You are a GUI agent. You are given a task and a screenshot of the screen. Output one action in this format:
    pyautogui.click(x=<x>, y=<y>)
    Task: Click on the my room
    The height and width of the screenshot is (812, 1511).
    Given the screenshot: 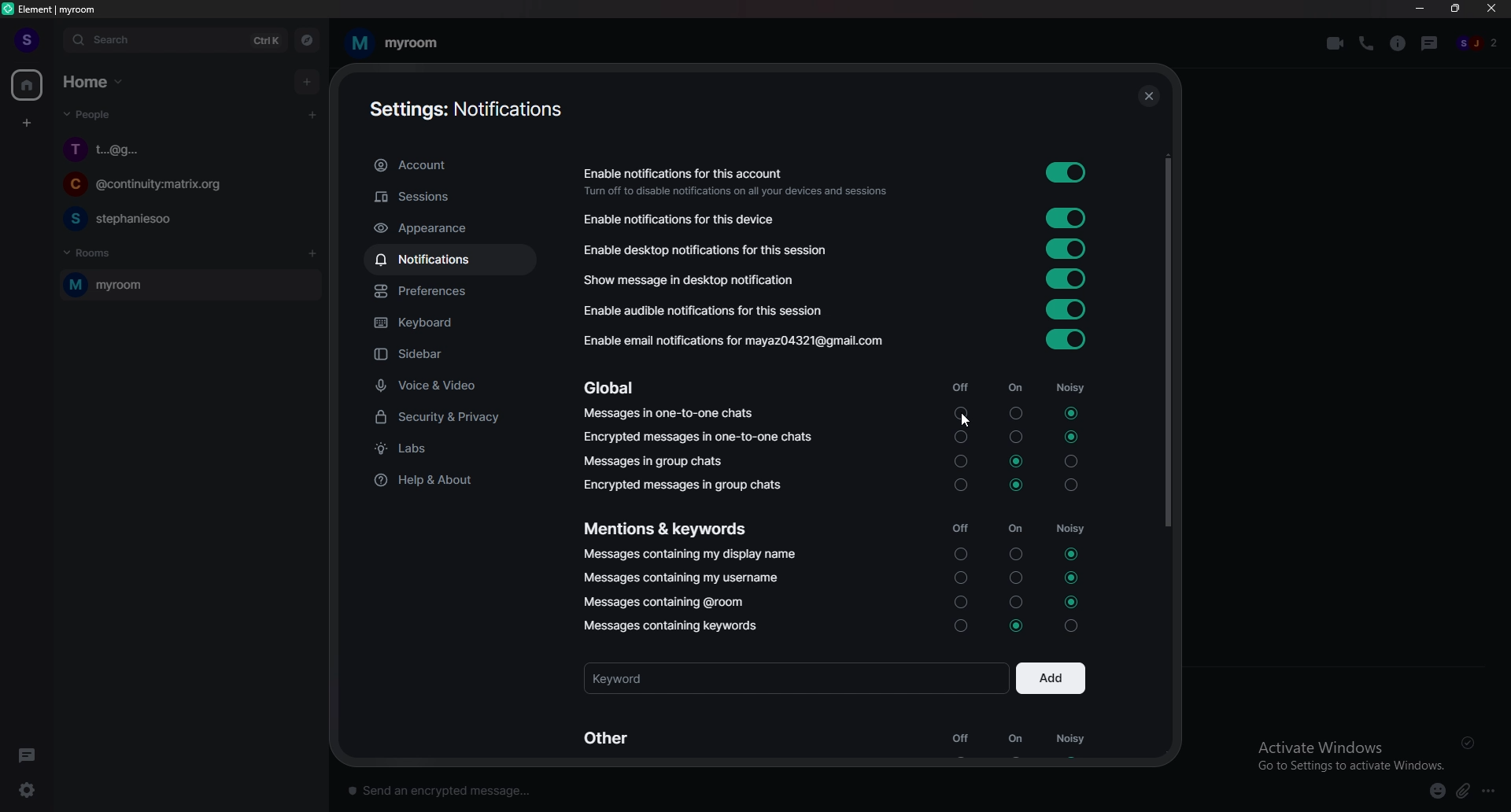 What is the action you would take?
    pyautogui.click(x=397, y=41)
    